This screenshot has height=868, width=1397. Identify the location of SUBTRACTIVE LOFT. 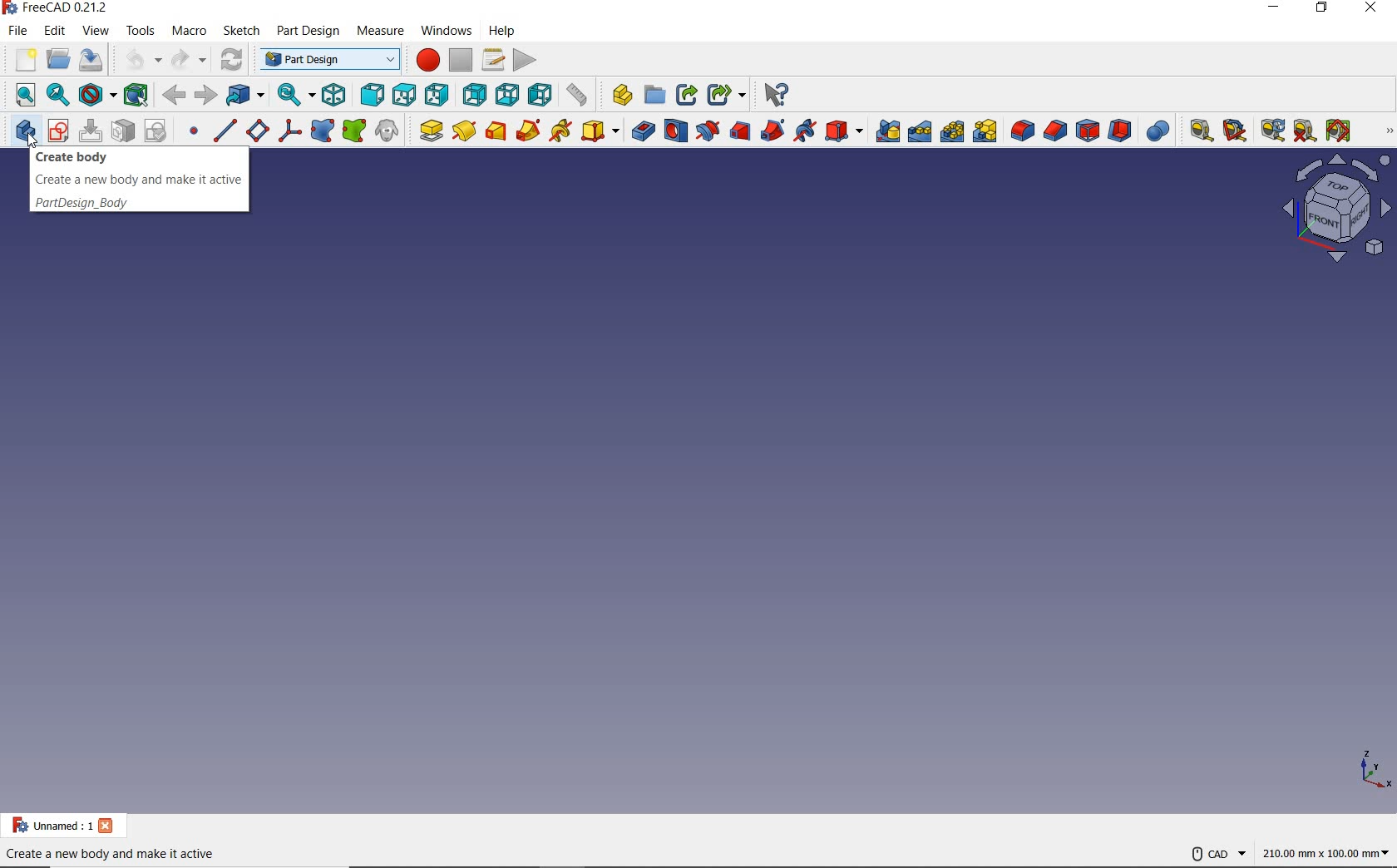
(741, 129).